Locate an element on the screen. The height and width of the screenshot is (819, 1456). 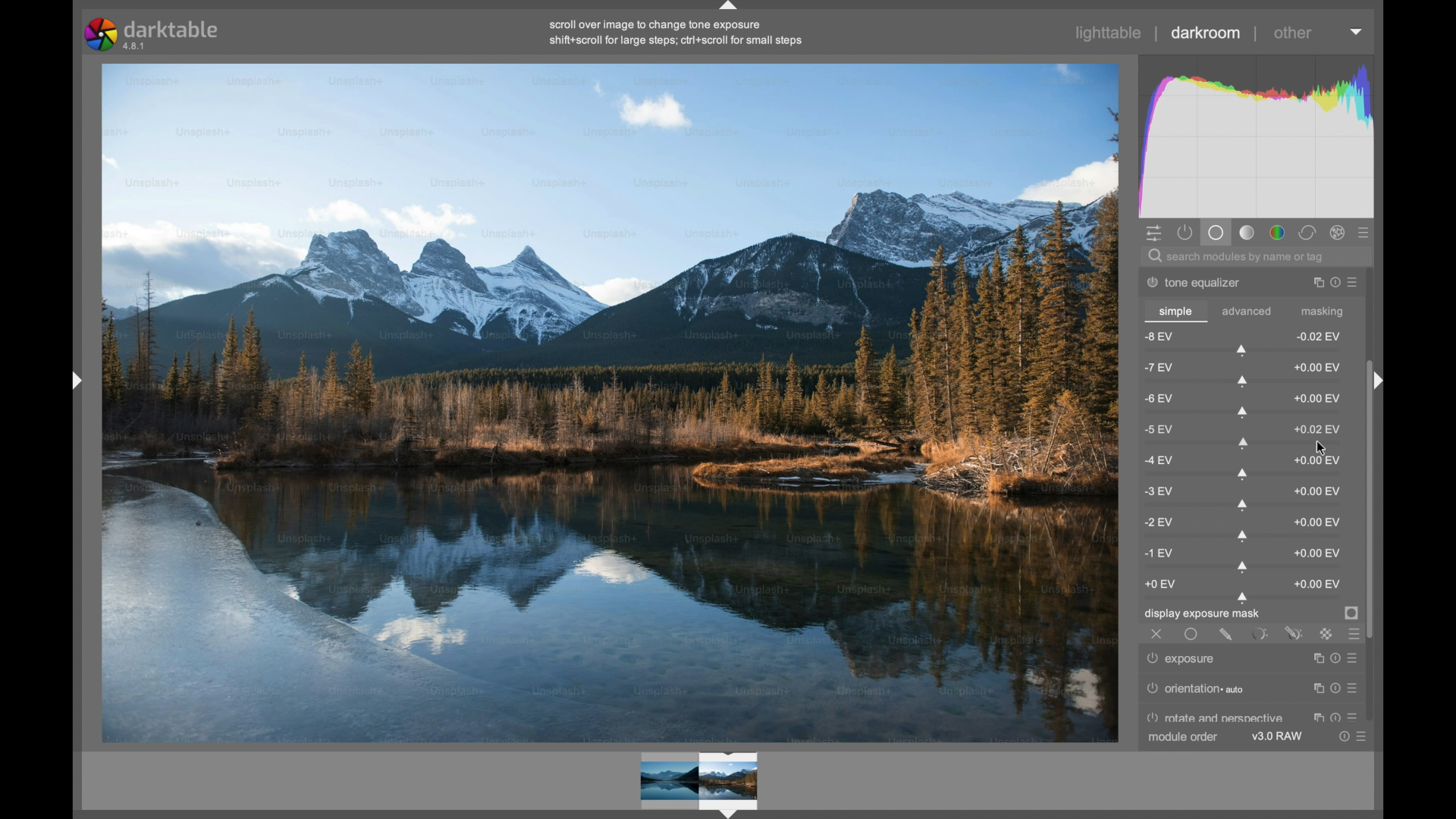
0.00 ev is located at coordinates (1317, 585).